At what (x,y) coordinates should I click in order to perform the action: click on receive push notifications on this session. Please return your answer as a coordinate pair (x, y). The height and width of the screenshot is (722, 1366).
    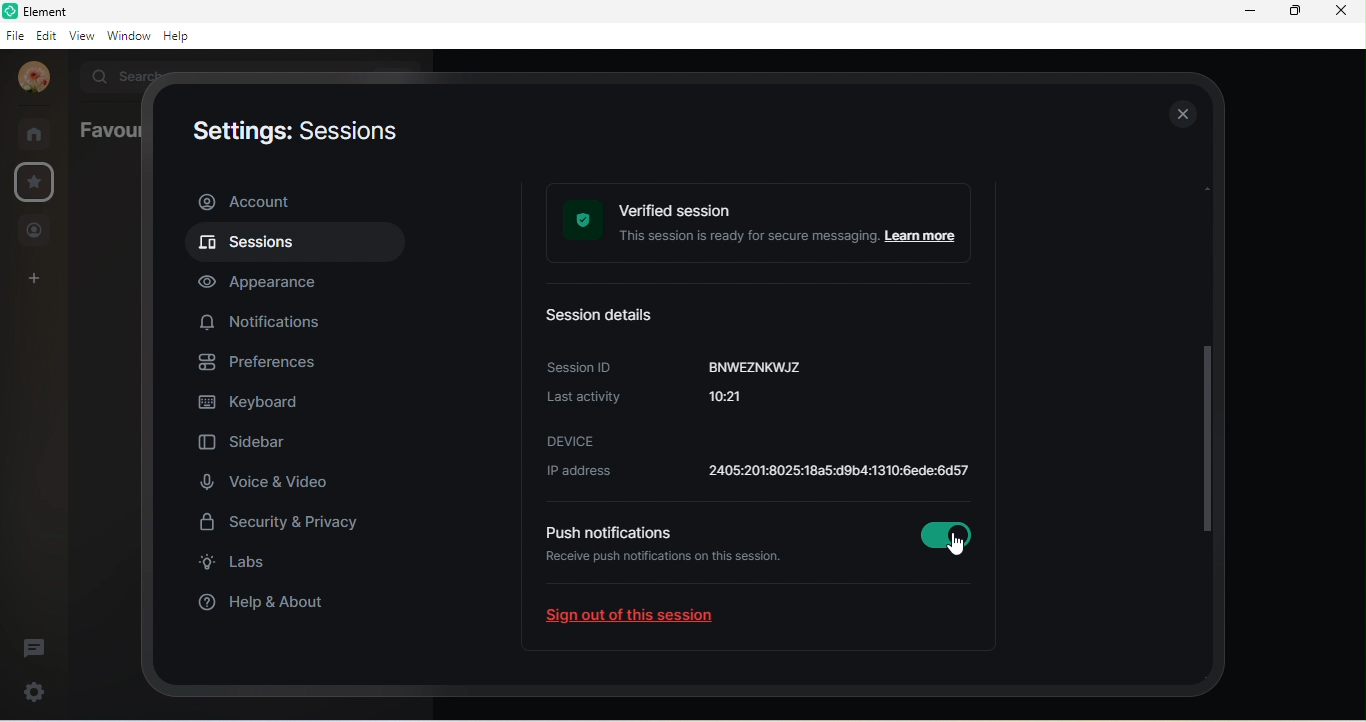
    Looking at the image, I should click on (671, 570).